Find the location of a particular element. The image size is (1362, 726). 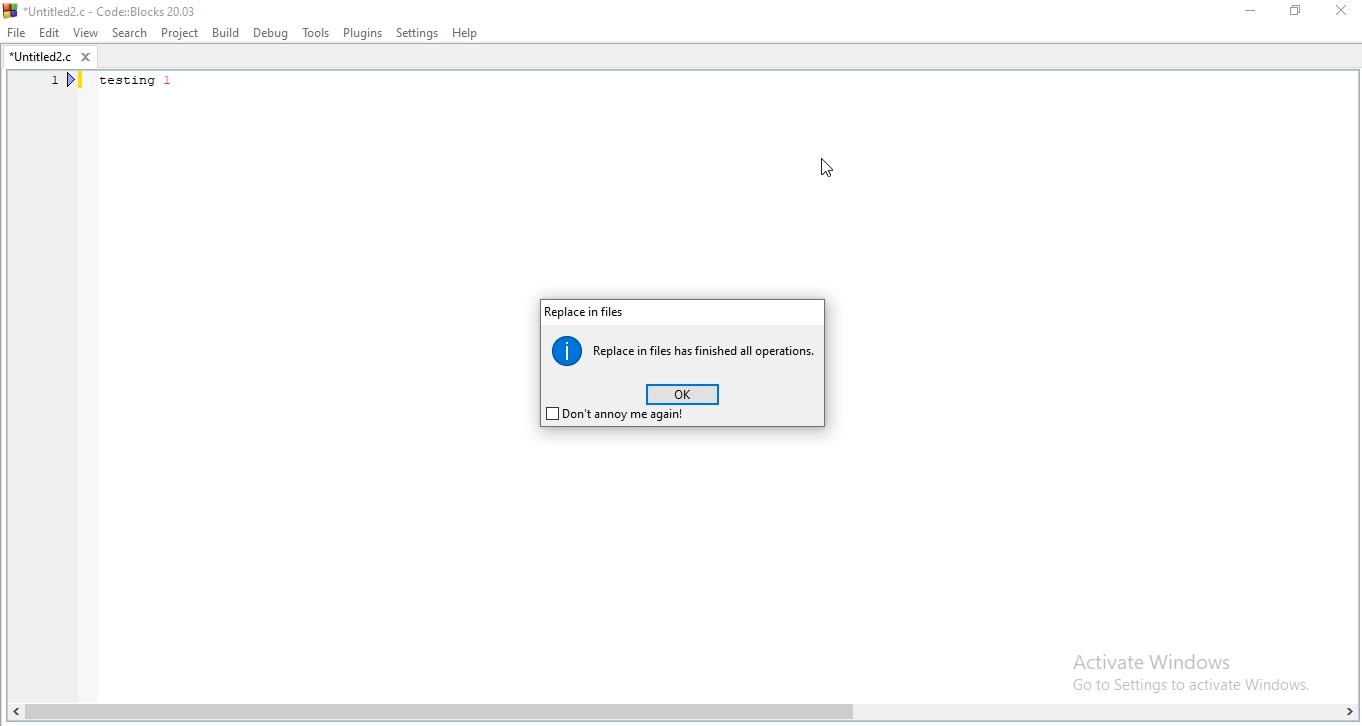

cursor is located at coordinates (824, 172).